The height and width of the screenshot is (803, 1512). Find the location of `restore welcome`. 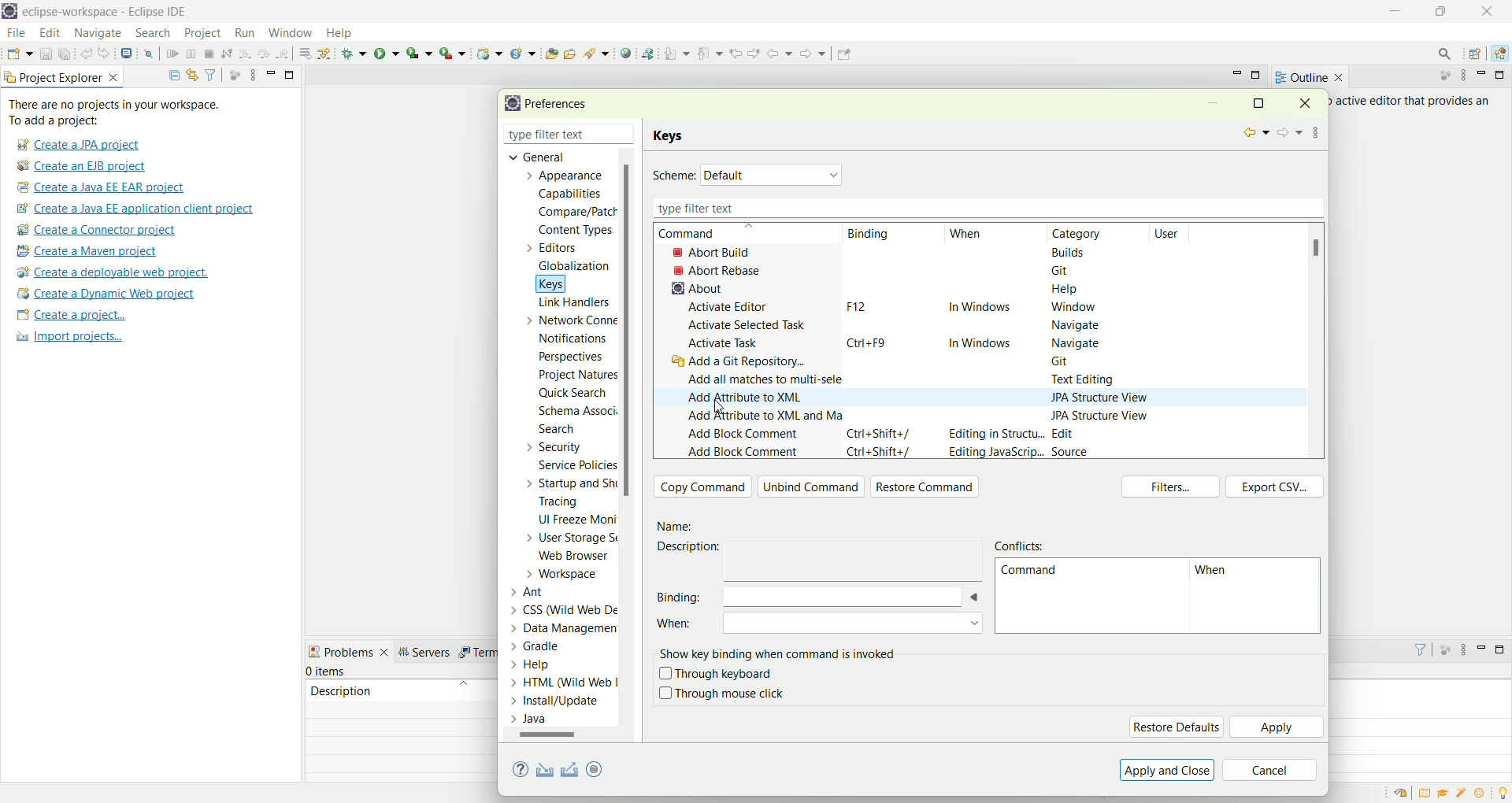

restore welcome is located at coordinates (1404, 794).